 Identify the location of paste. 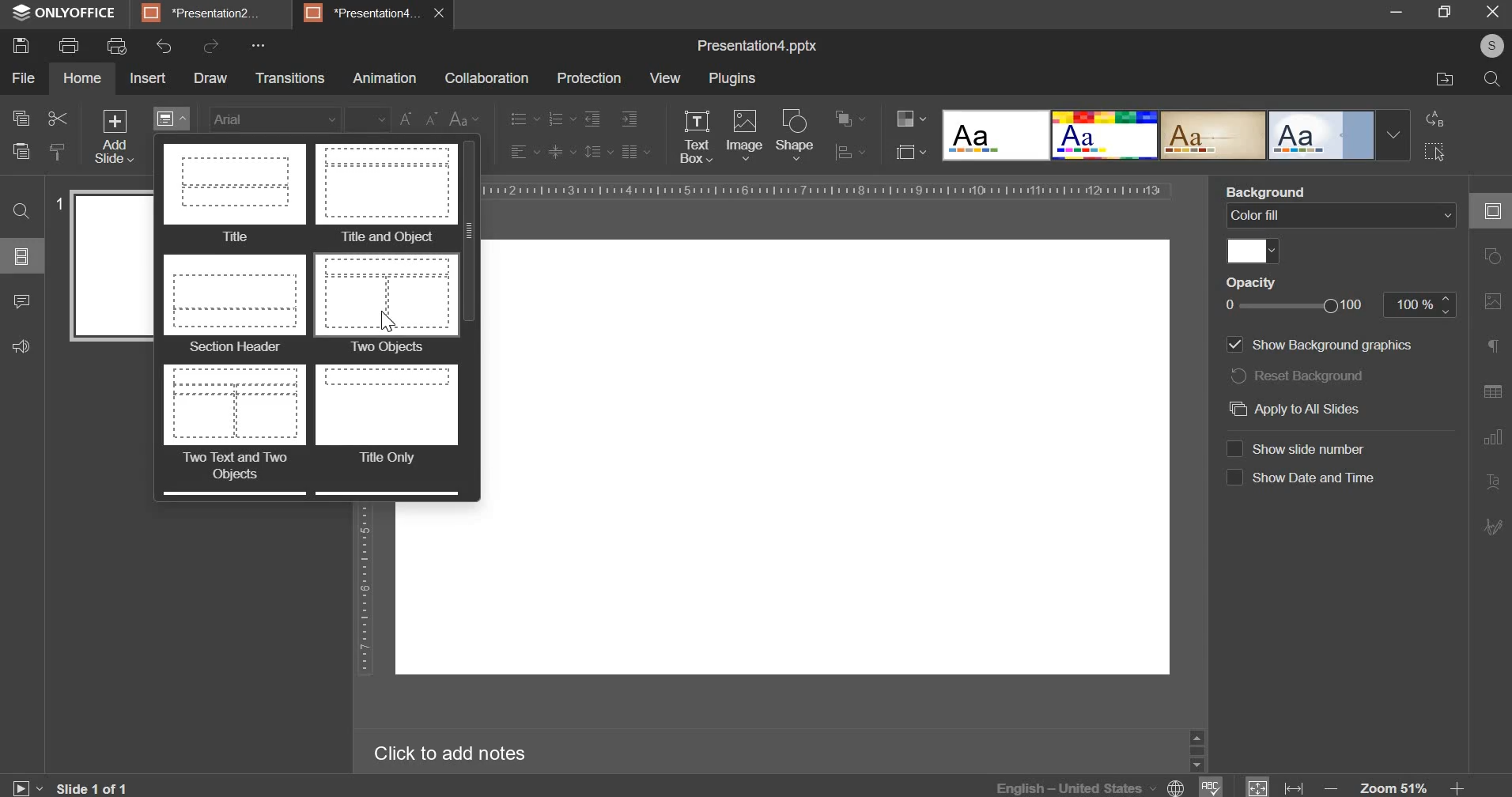
(20, 149).